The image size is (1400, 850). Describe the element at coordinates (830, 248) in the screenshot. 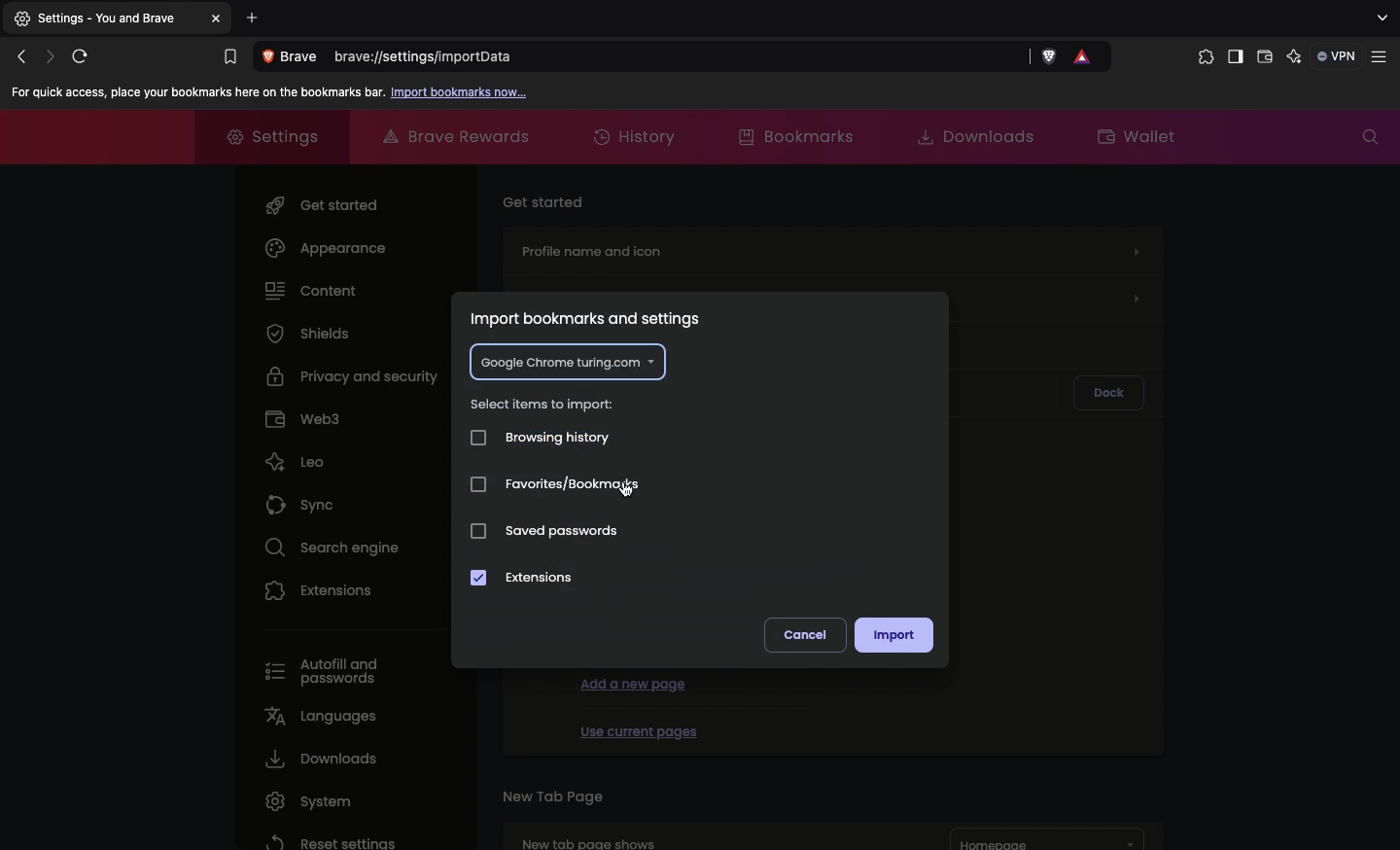

I see `Profile name and icon` at that location.